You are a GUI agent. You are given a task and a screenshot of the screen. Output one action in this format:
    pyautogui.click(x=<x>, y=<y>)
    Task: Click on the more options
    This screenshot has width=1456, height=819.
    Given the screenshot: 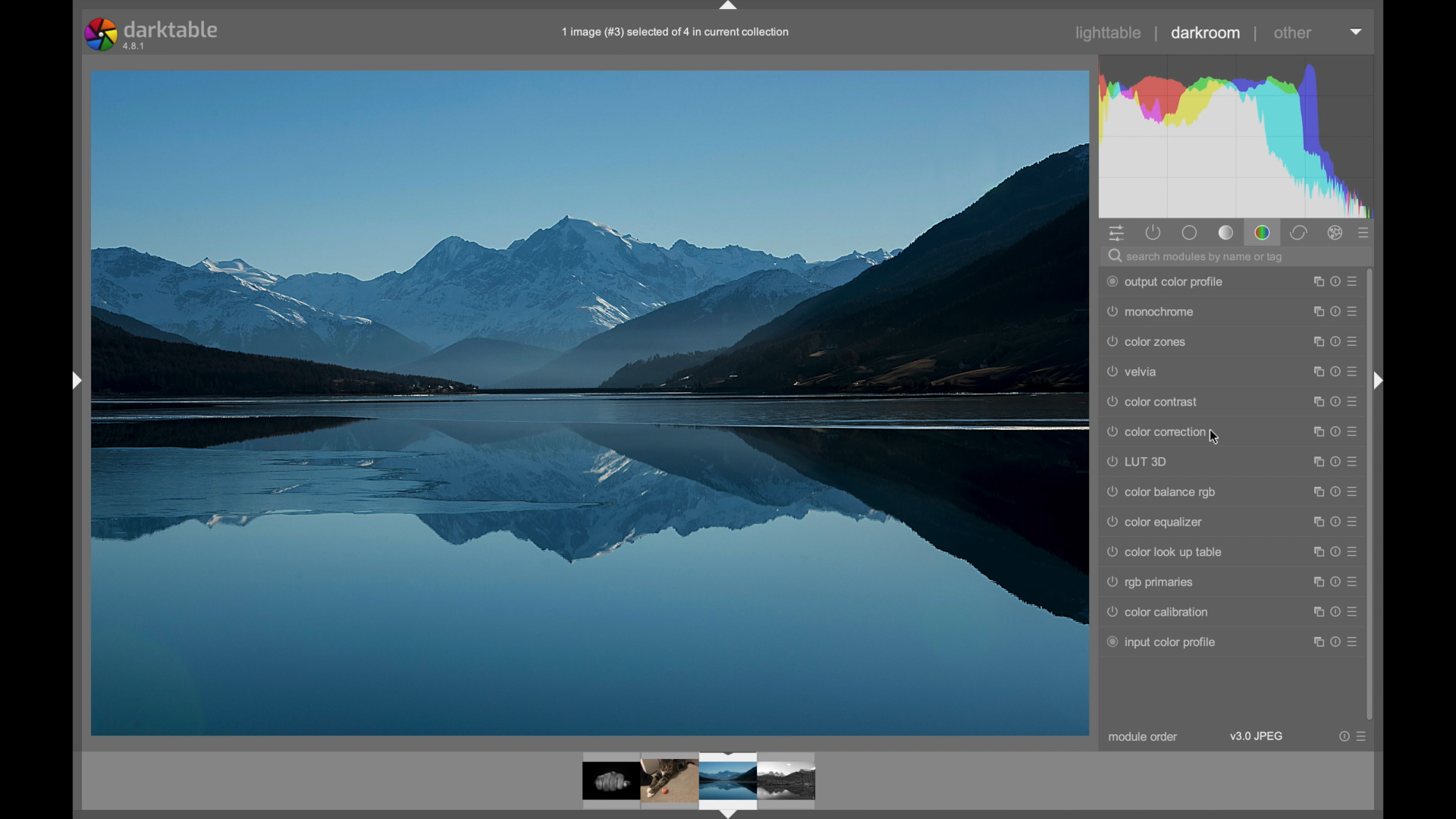 What is the action you would take?
    pyautogui.click(x=1336, y=642)
    